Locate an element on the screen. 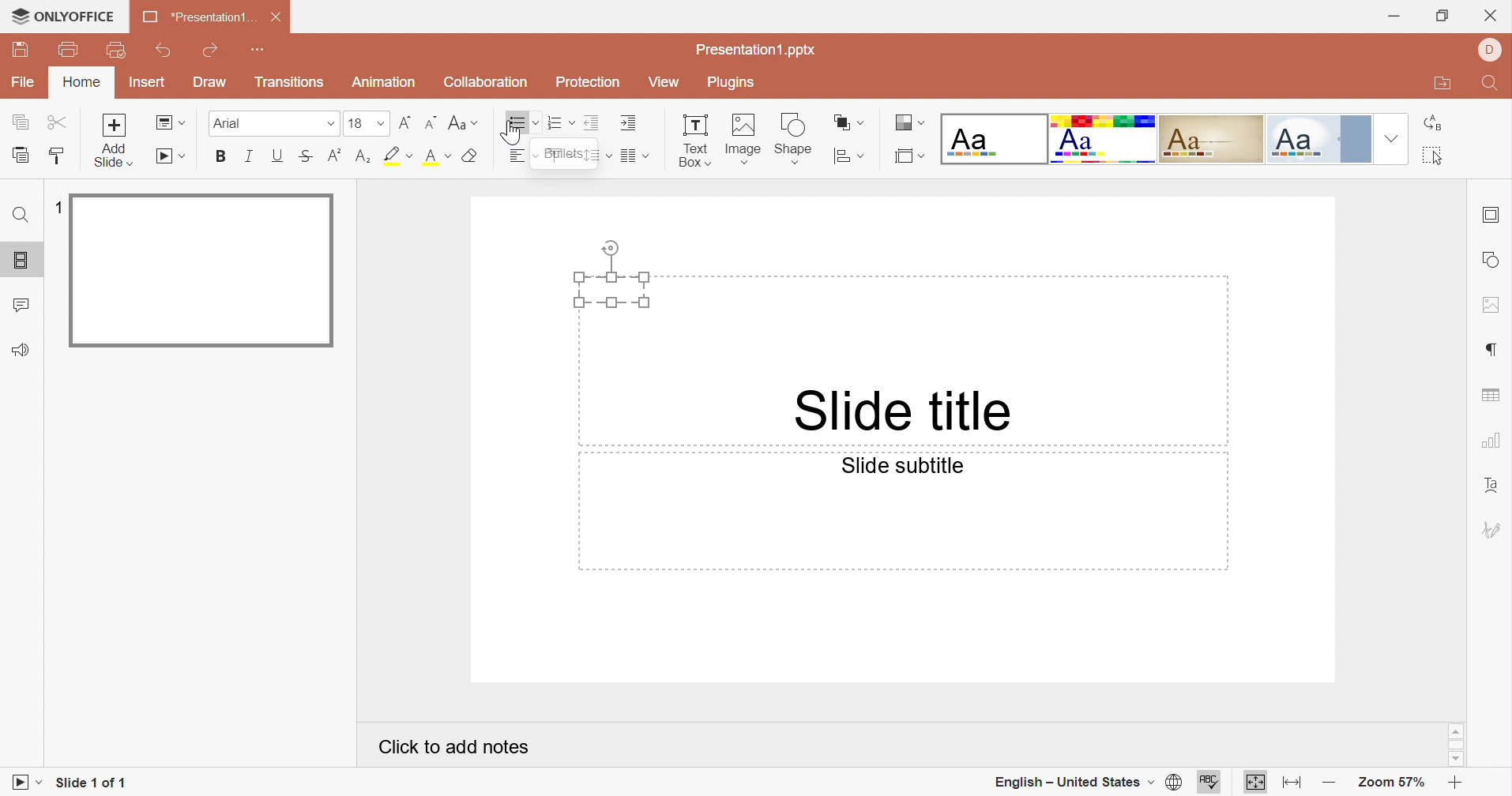 The image size is (1512, 796). Find is located at coordinates (18, 217).